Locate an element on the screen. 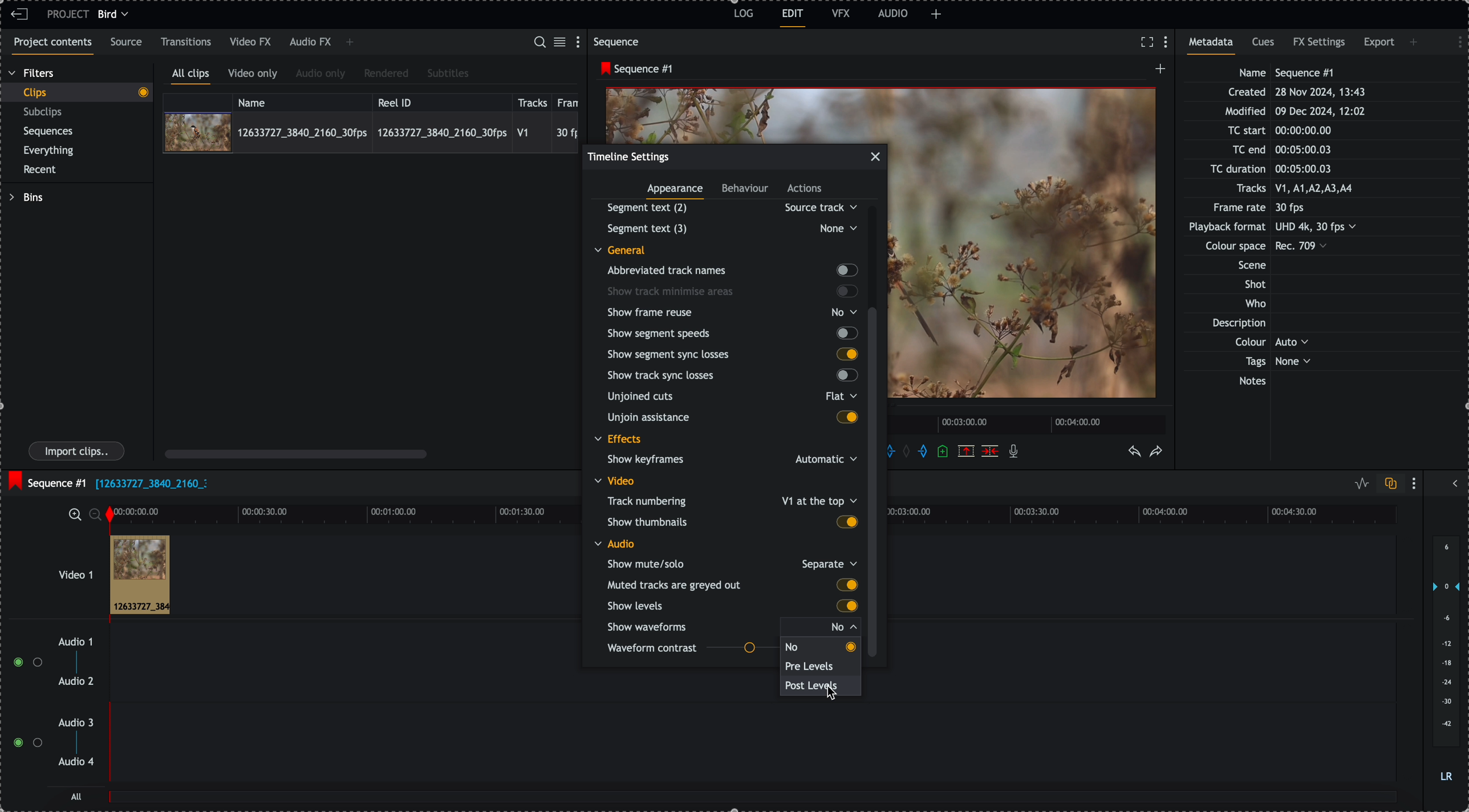 The width and height of the screenshot is (1469, 812). name is located at coordinates (302, 101).